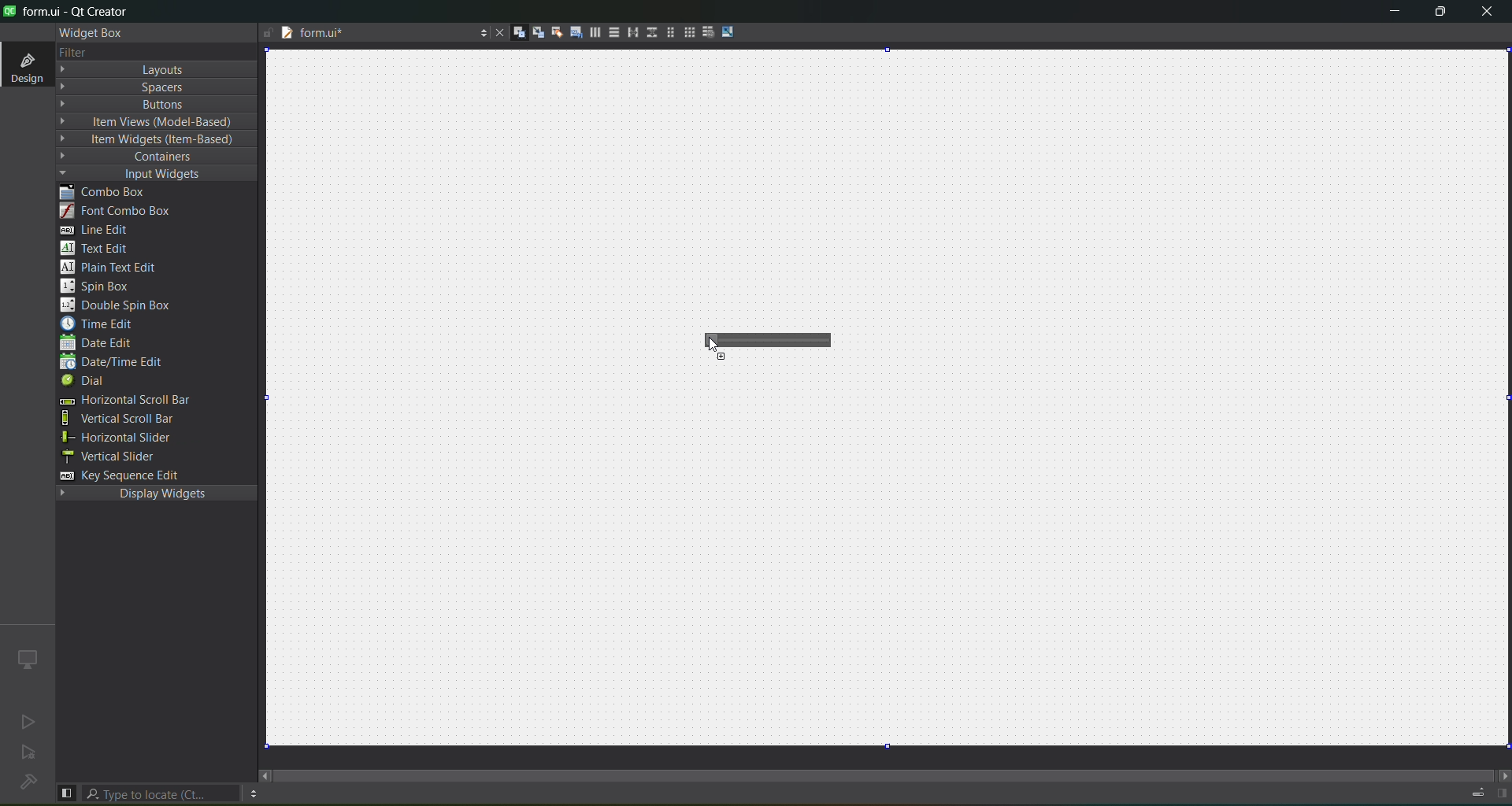  What do you see at coordinates (776, 340) in the screenshot?
I see `horizontal slider` at bounding box center [776, 340].